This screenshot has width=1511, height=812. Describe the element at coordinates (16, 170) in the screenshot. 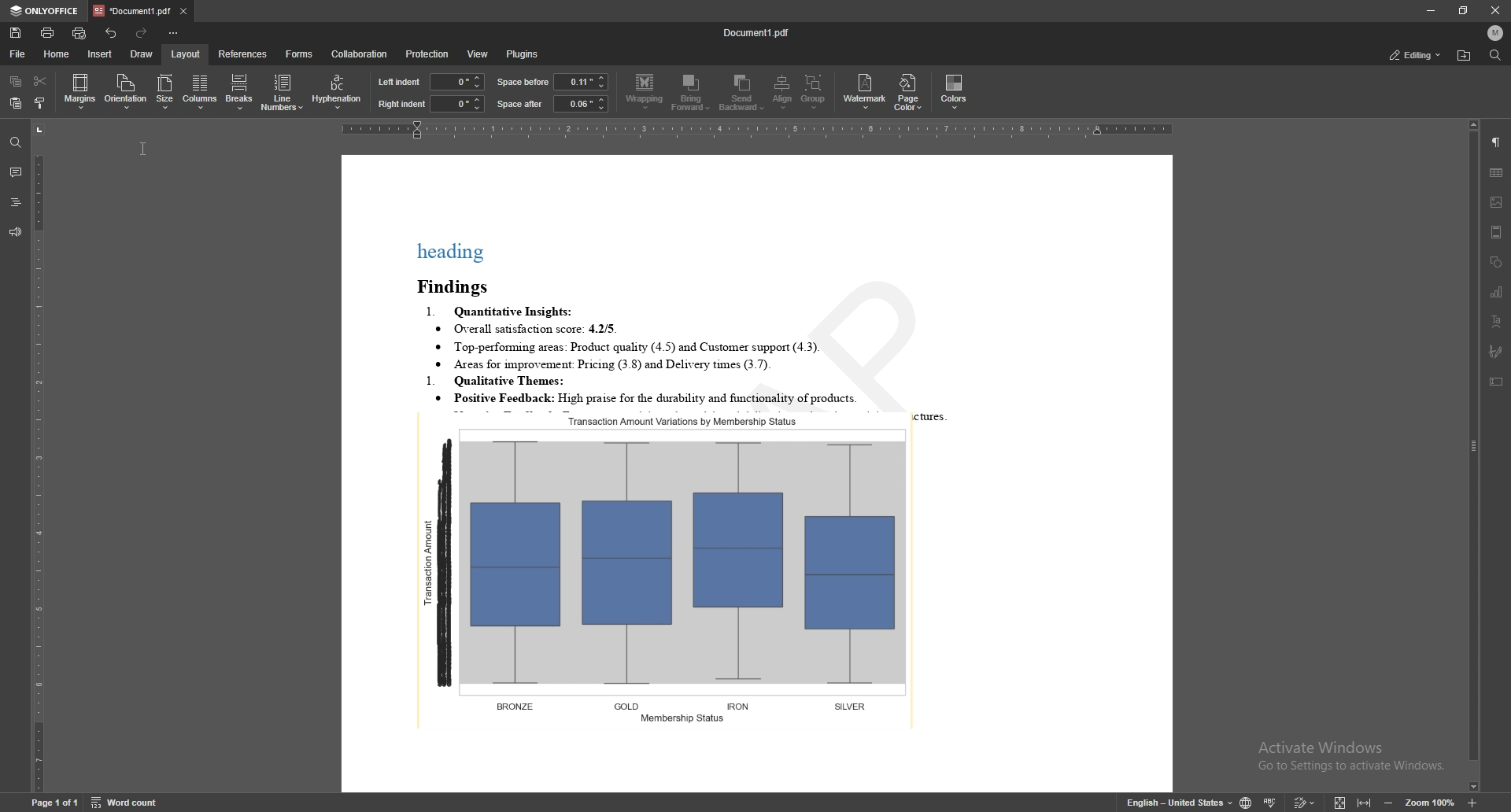

I see `comment` at that location.